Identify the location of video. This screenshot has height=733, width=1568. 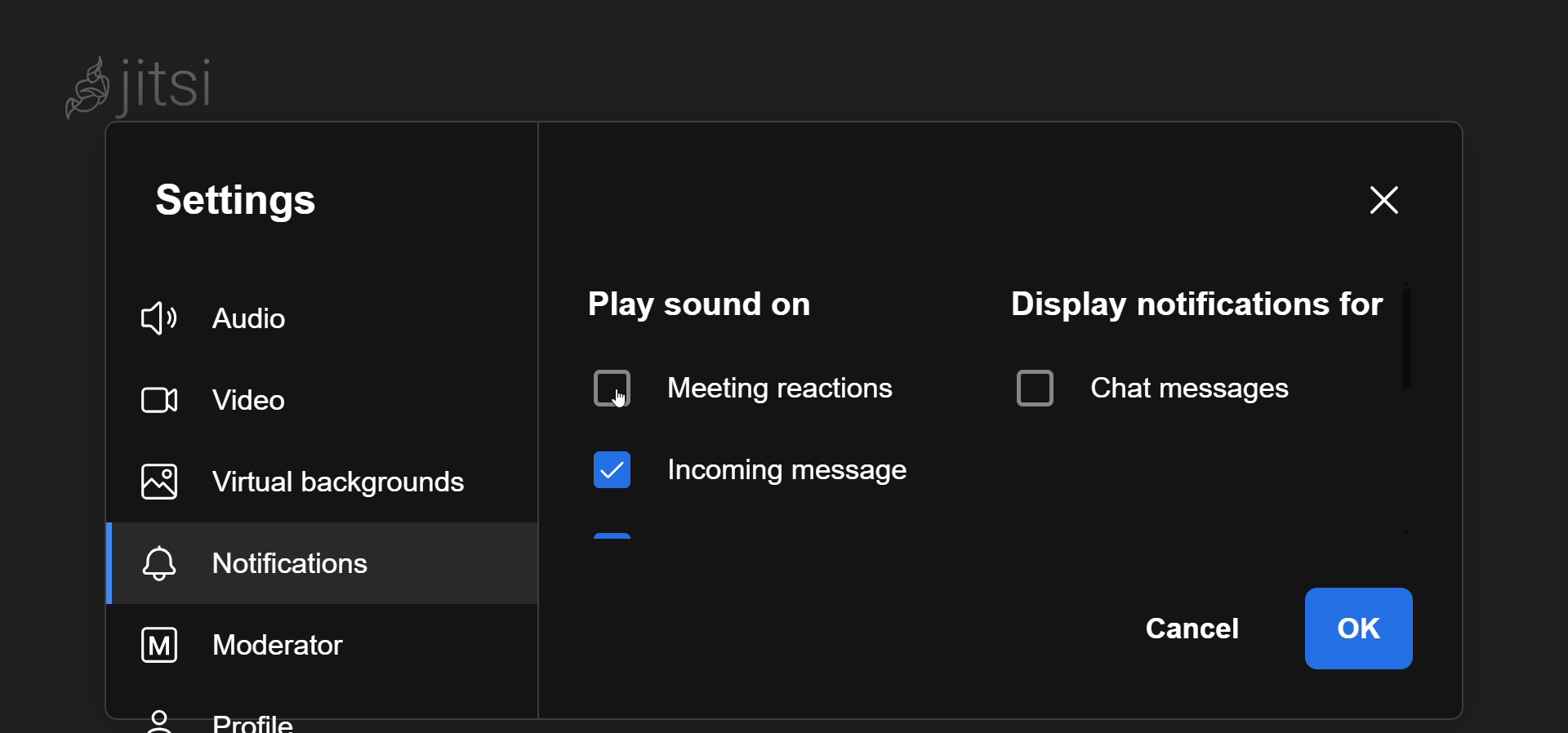
(234, 401).